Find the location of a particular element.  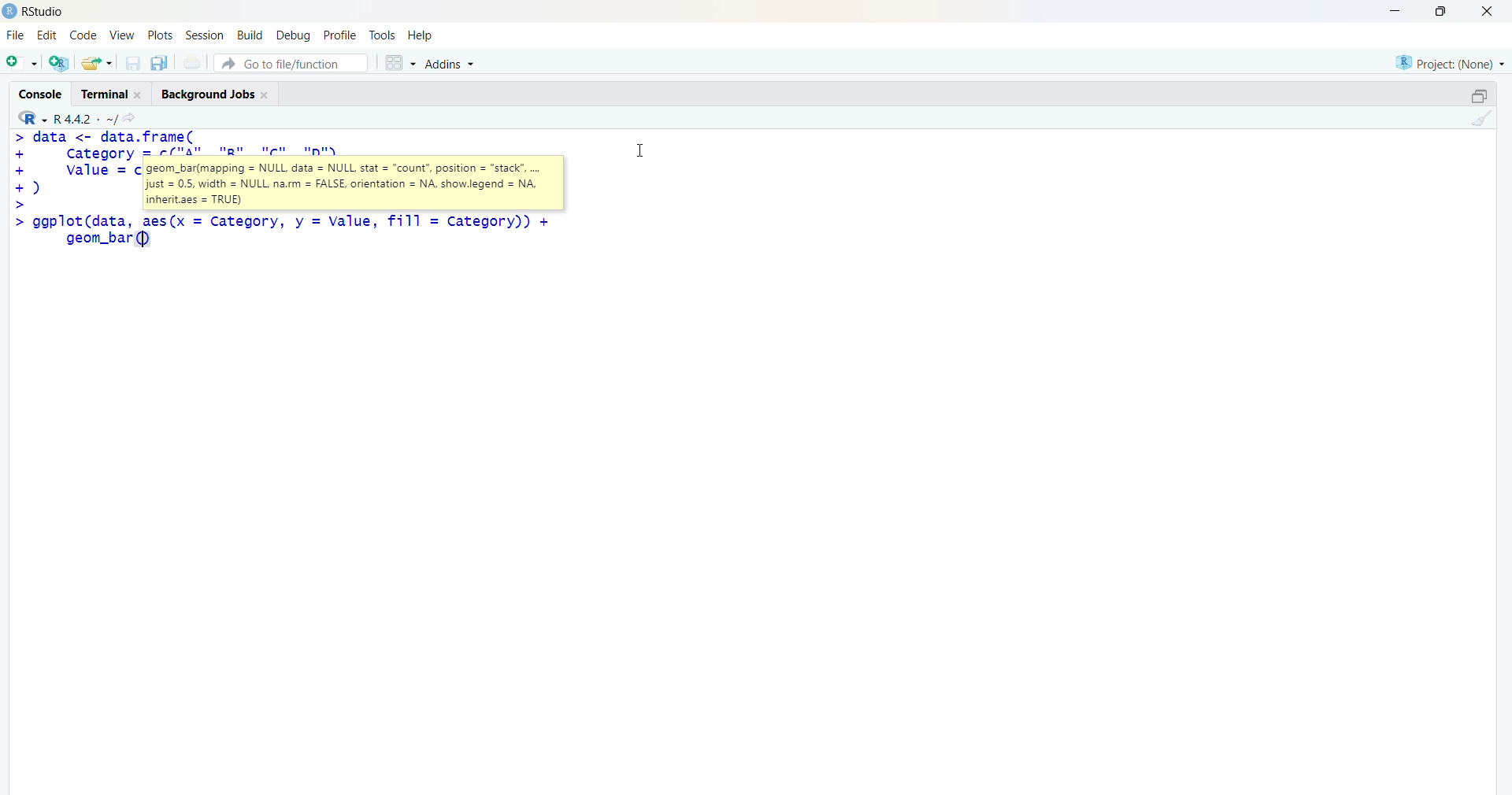

Close is located at coordinates (1484, 11).